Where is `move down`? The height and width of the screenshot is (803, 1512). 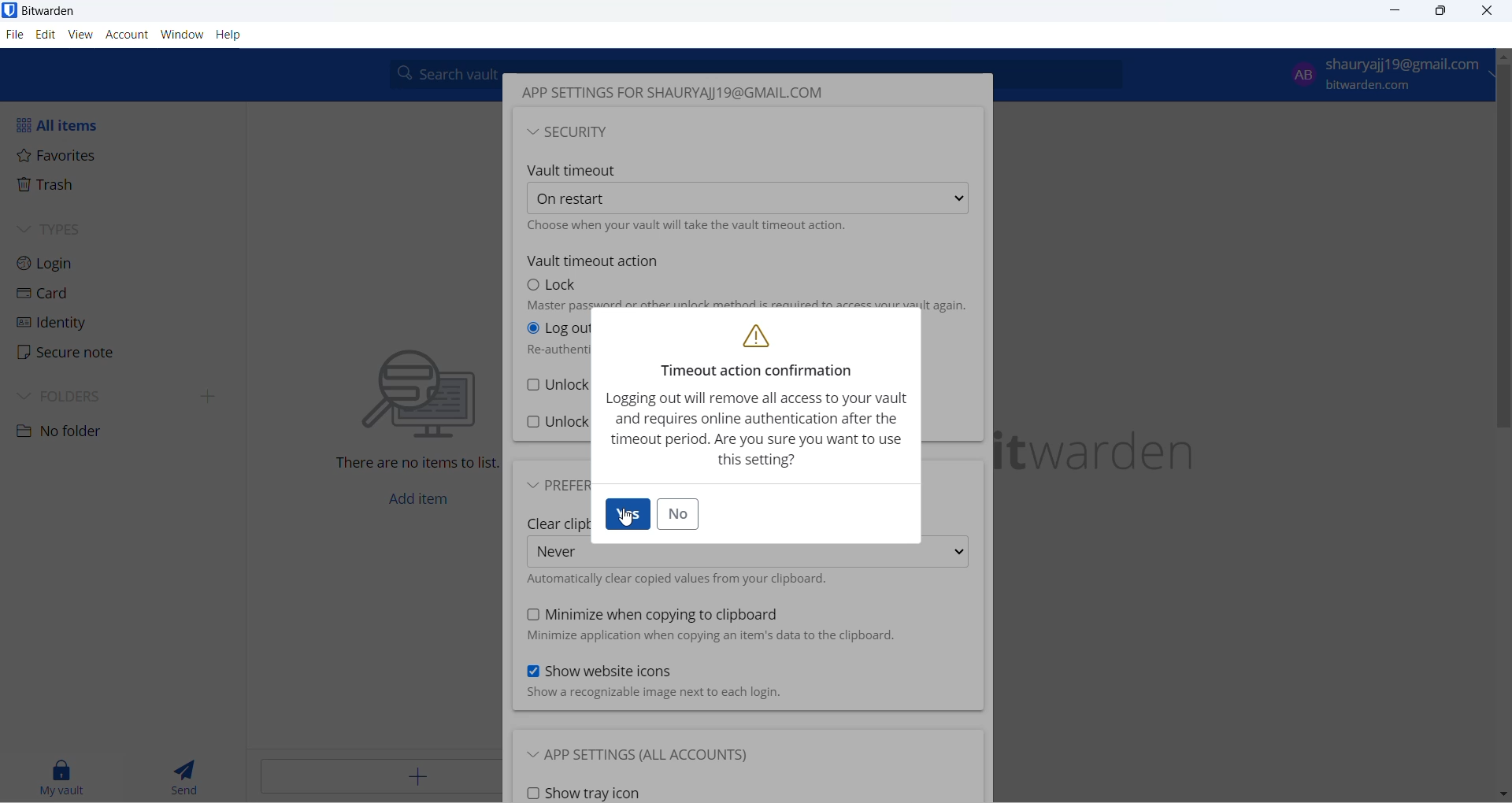
move down is located at coordinates (1503, 794).